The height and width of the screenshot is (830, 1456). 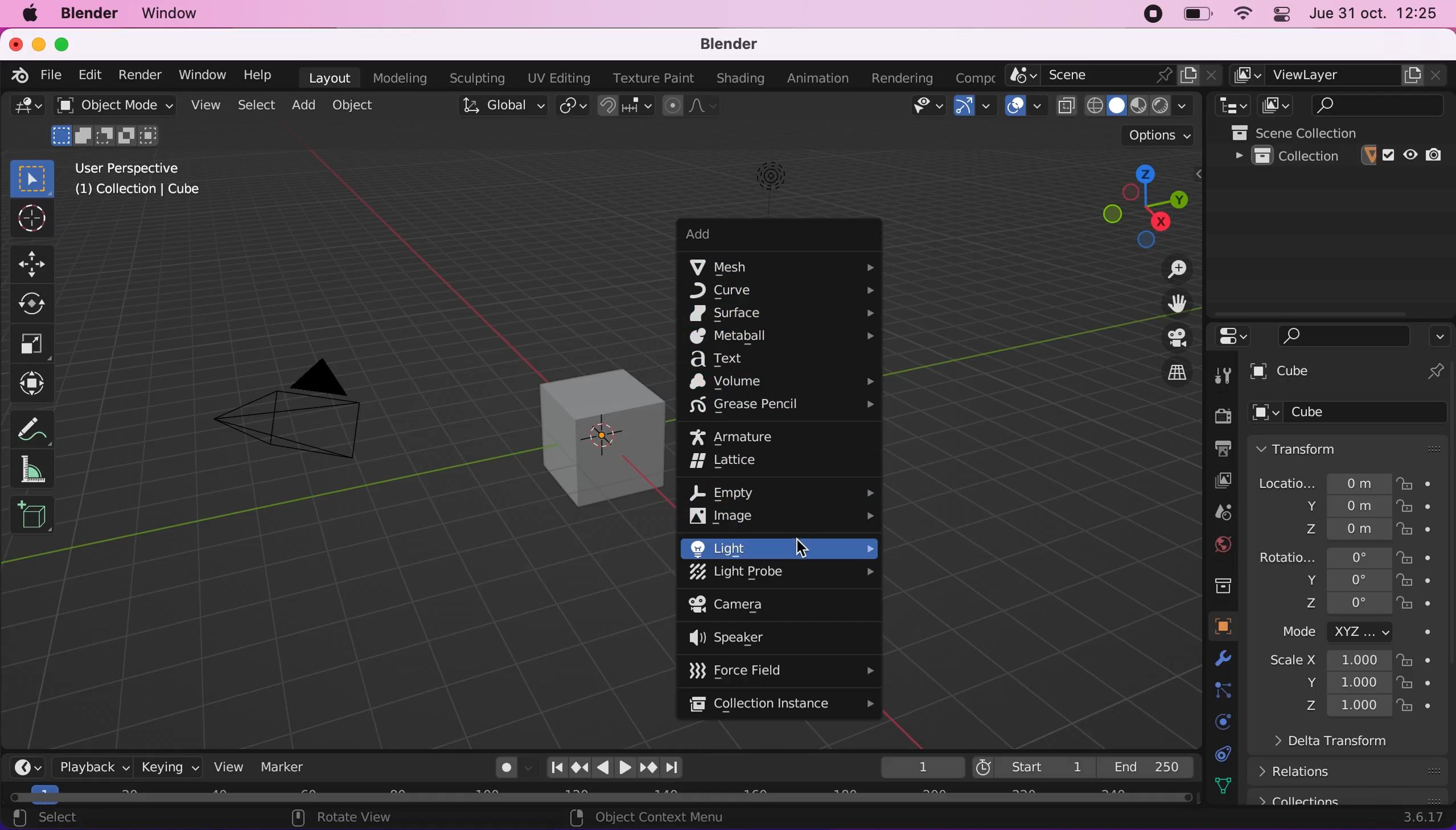 What do you see at coordinates (1144, 105) in the screenshot?
I see `viewport shading` at bounding box center [1144, 105].